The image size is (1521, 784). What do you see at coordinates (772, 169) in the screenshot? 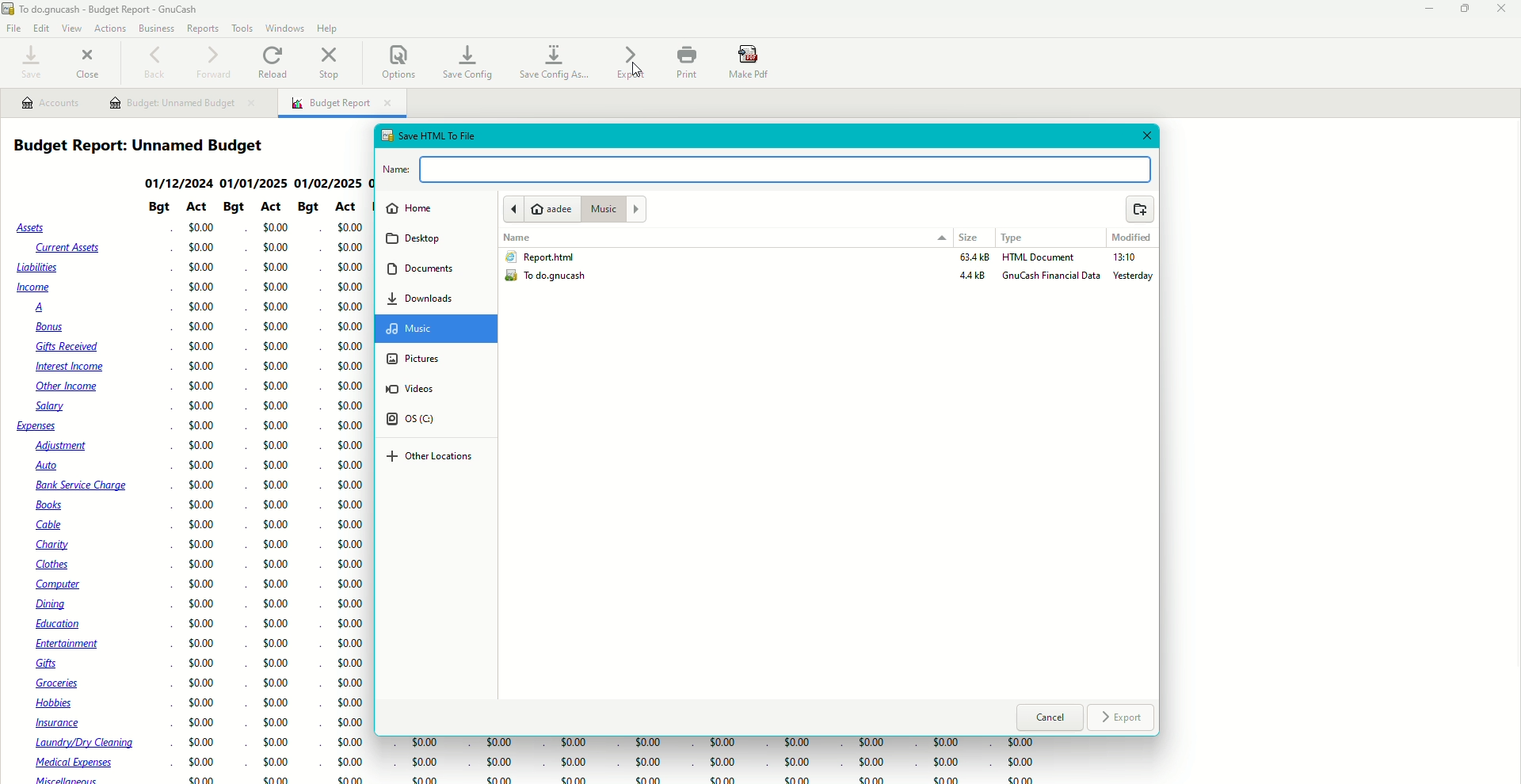
I see `File Name` at bounding box center [772, 169].